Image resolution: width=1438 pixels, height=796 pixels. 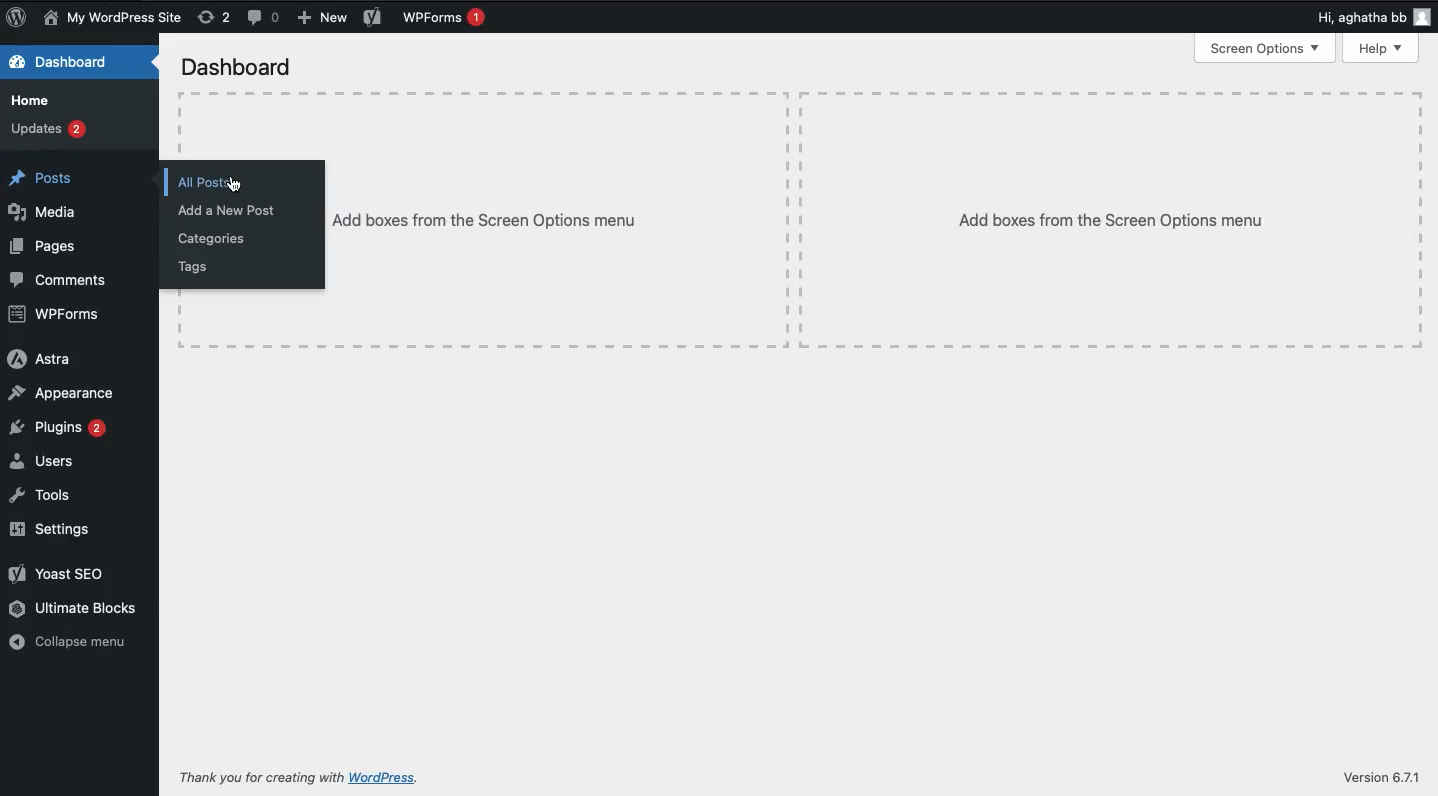 What do you see at coordinates (48, 128) in the screenshot?
I see `Updates` at bounding box center [48, 128].